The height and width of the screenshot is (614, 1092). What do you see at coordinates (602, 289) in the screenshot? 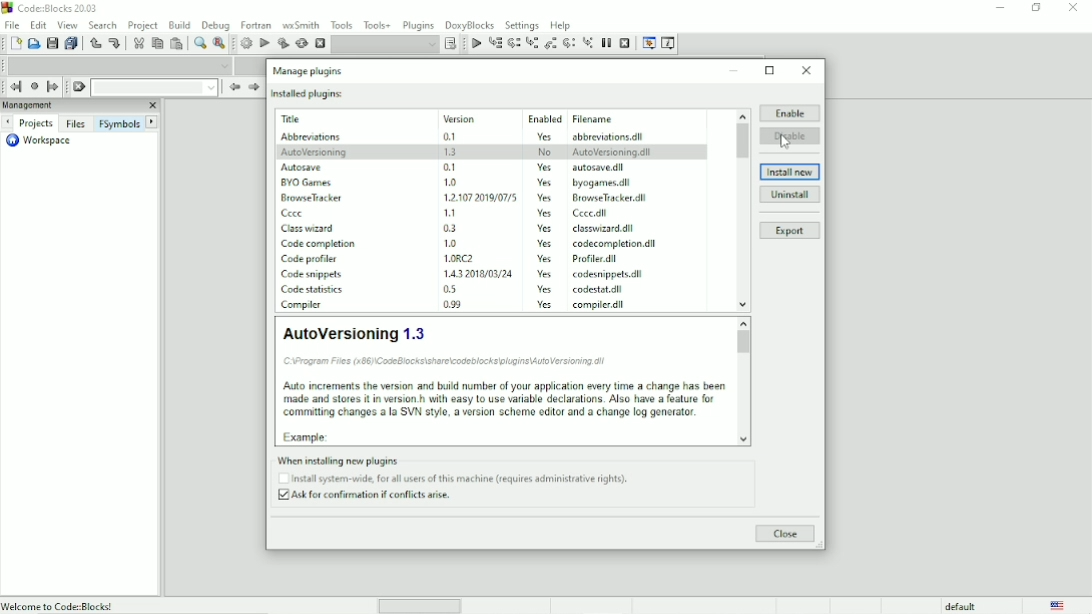
I see `codestat.dll` at bounding box center [602, 289].